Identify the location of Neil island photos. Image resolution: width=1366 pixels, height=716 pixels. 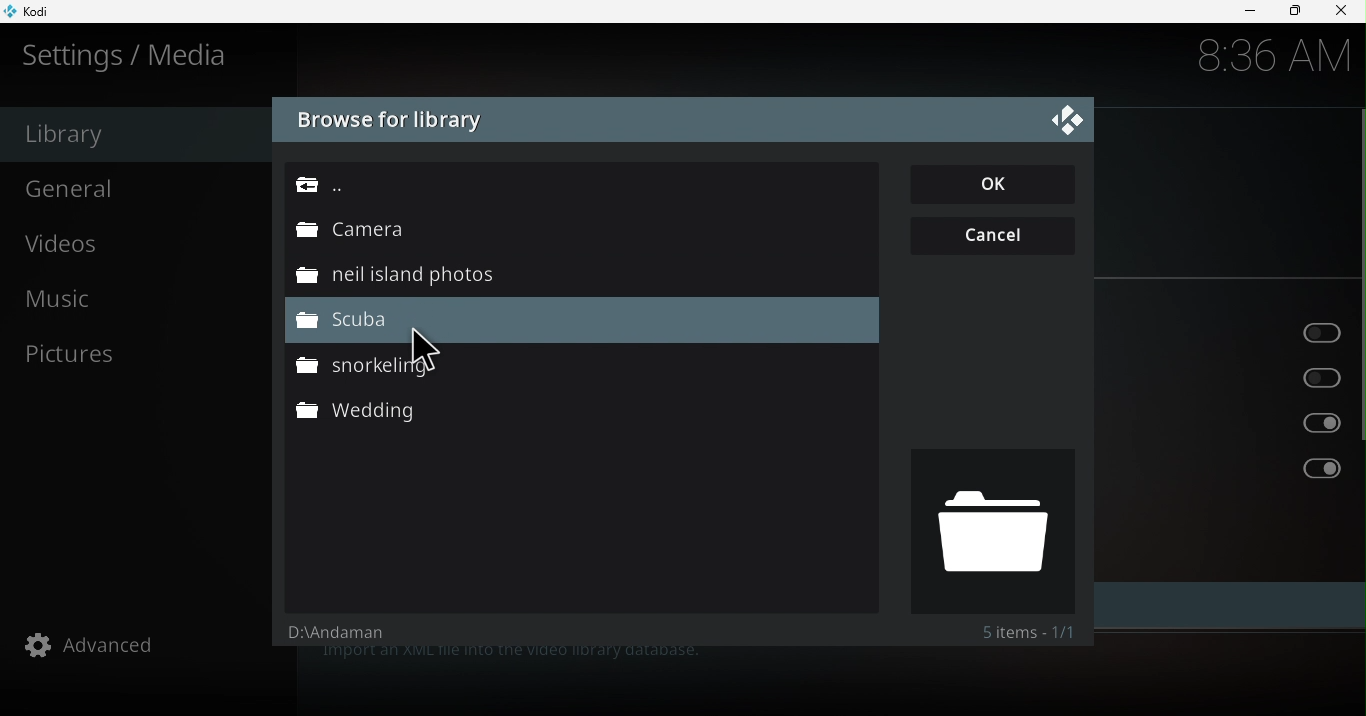
(570, 275).